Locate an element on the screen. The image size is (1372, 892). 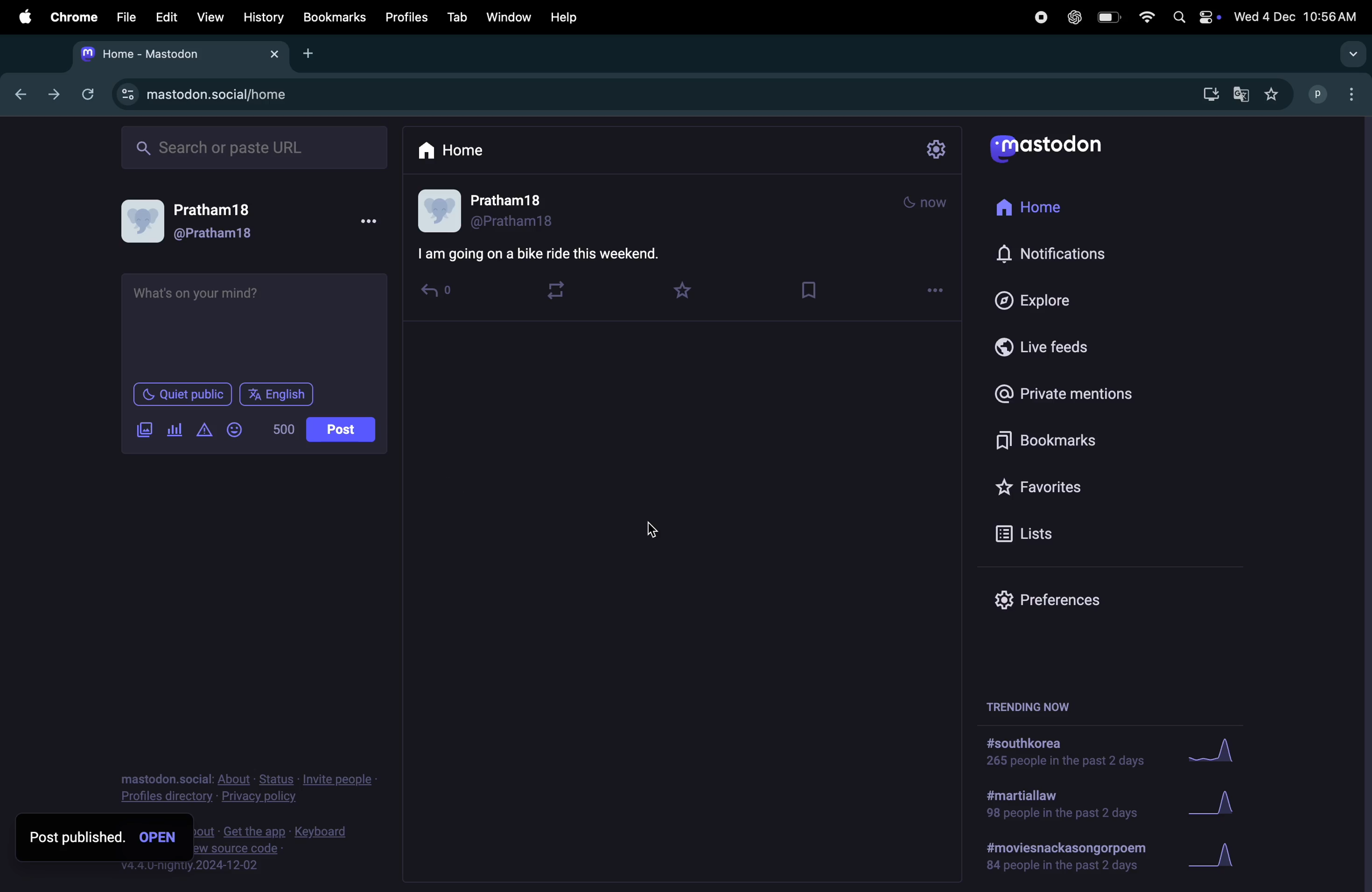
add tab is located at coordinates (315, 52).